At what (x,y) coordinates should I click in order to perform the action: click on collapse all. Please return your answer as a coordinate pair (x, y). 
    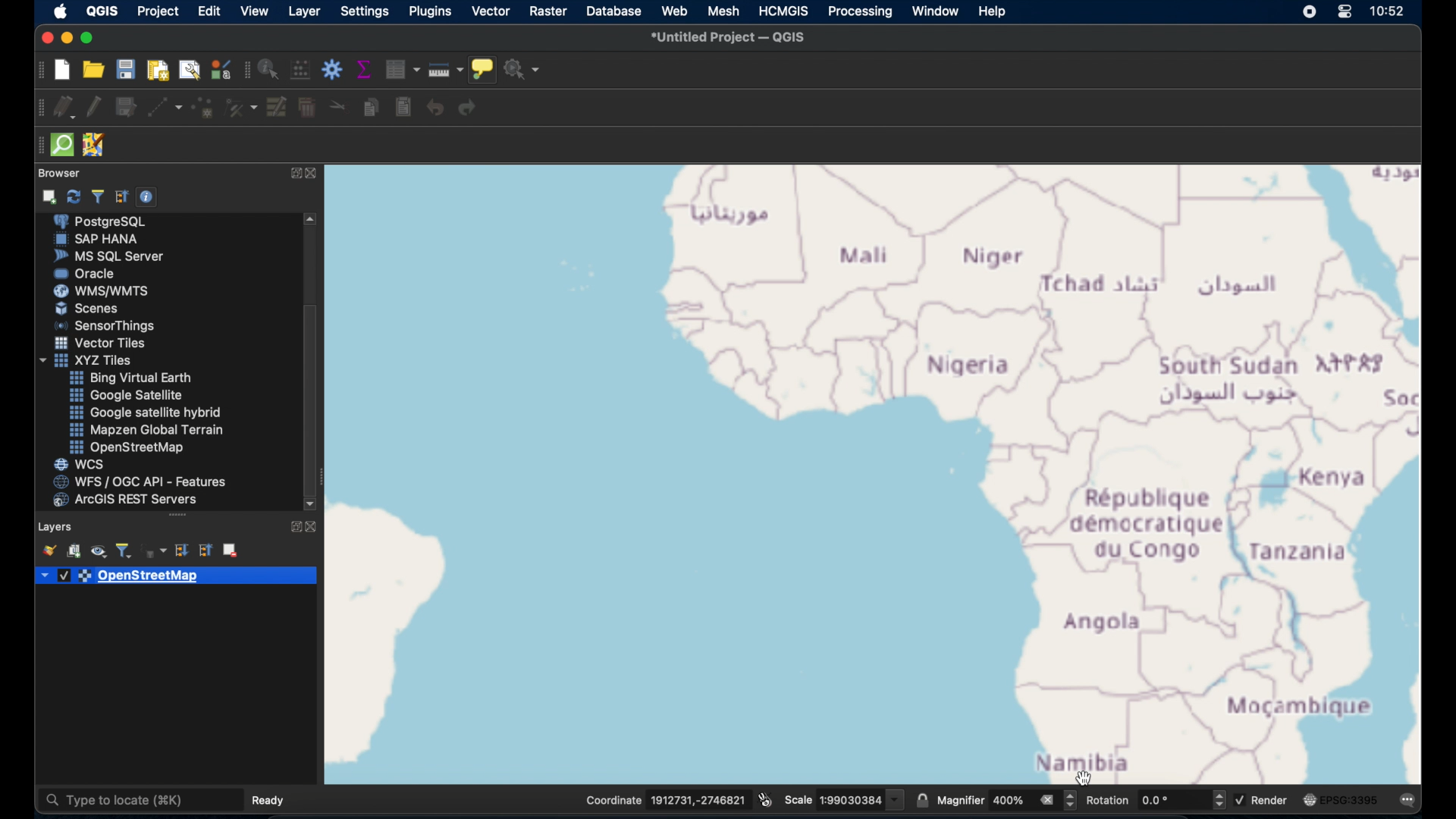
    Looking at the image, I should click on (121, 196).